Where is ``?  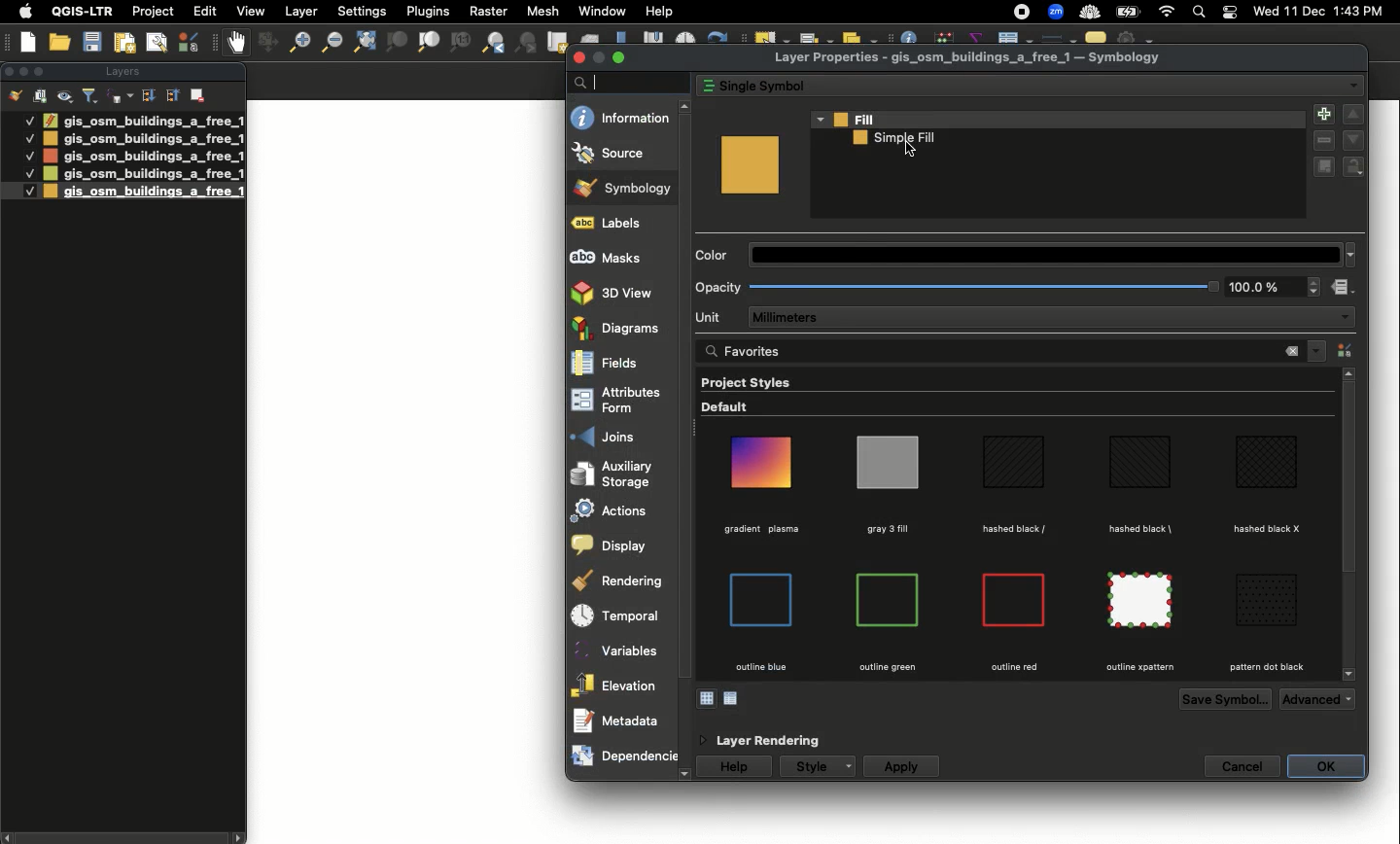  is located at coordinates (1093, 14).